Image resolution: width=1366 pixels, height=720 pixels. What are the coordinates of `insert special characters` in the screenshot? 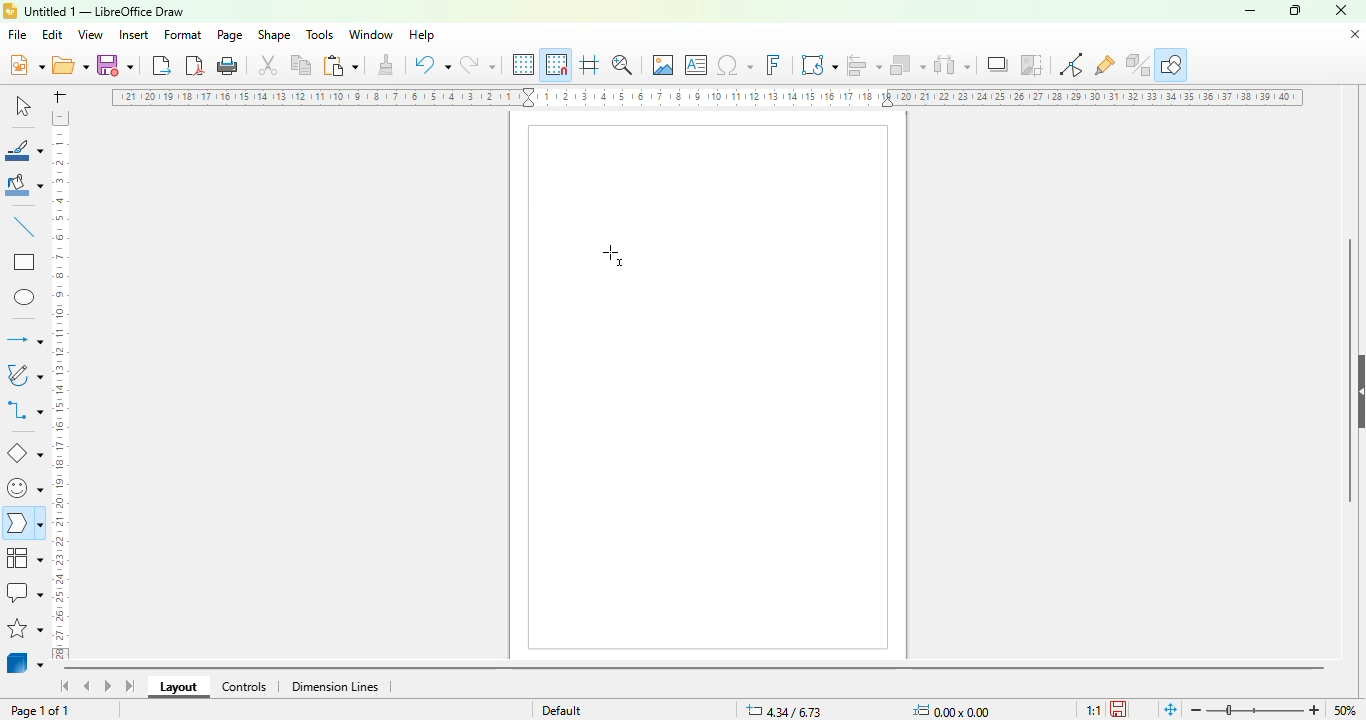 It's located at (735, 65).